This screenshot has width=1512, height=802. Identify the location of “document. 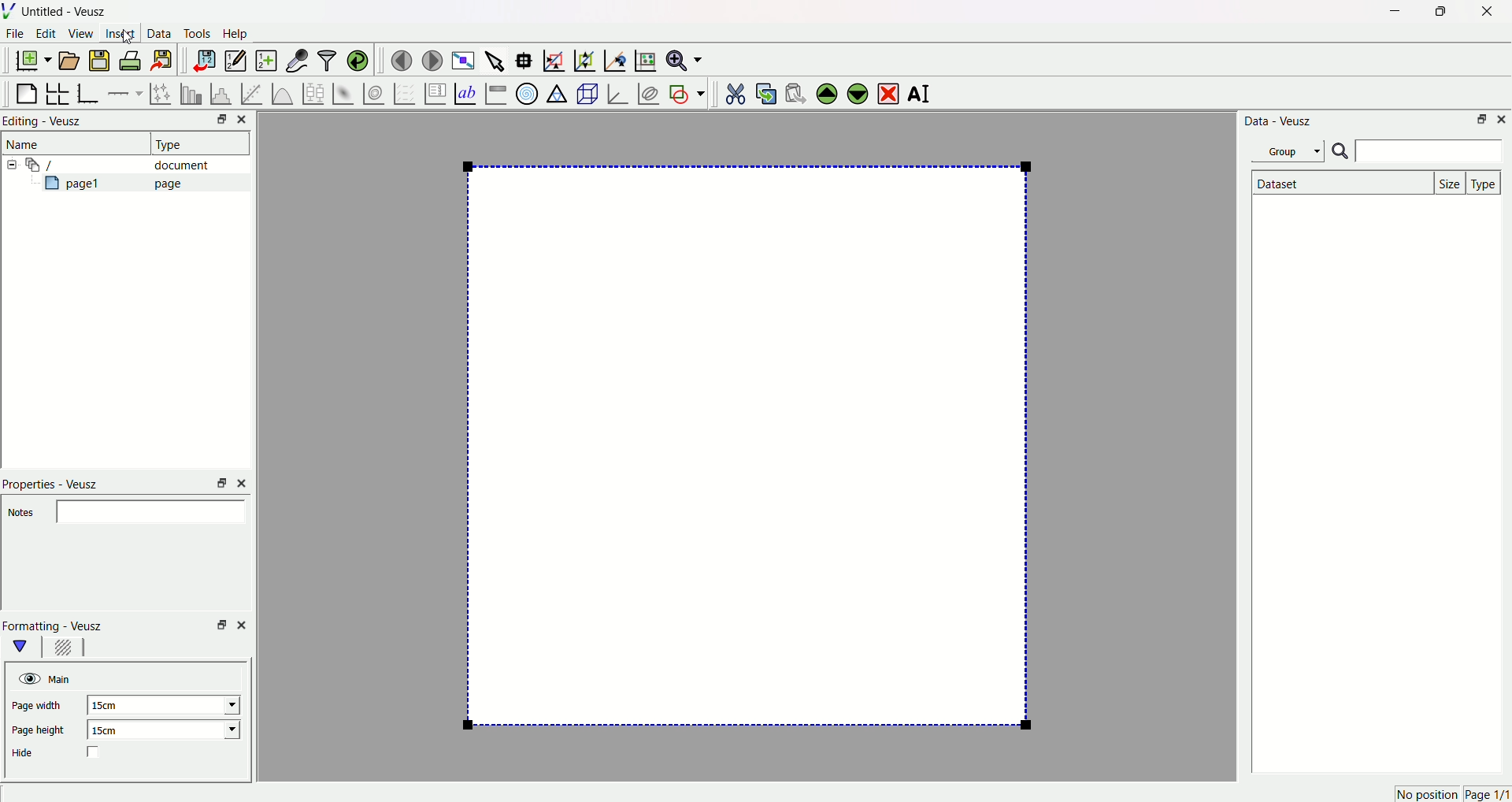
(125, 164).